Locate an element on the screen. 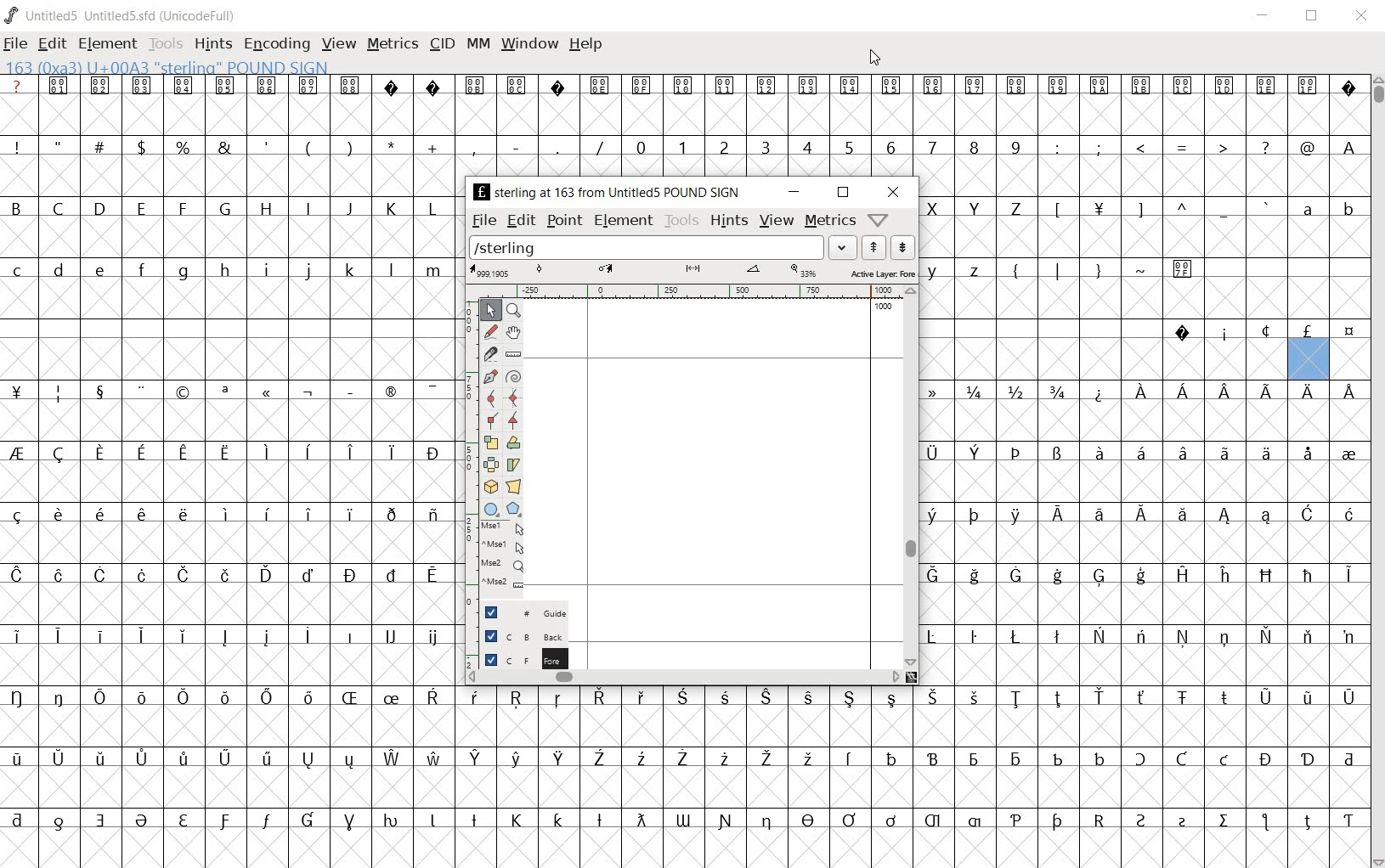  [ is located at coordinates (1055, 211).